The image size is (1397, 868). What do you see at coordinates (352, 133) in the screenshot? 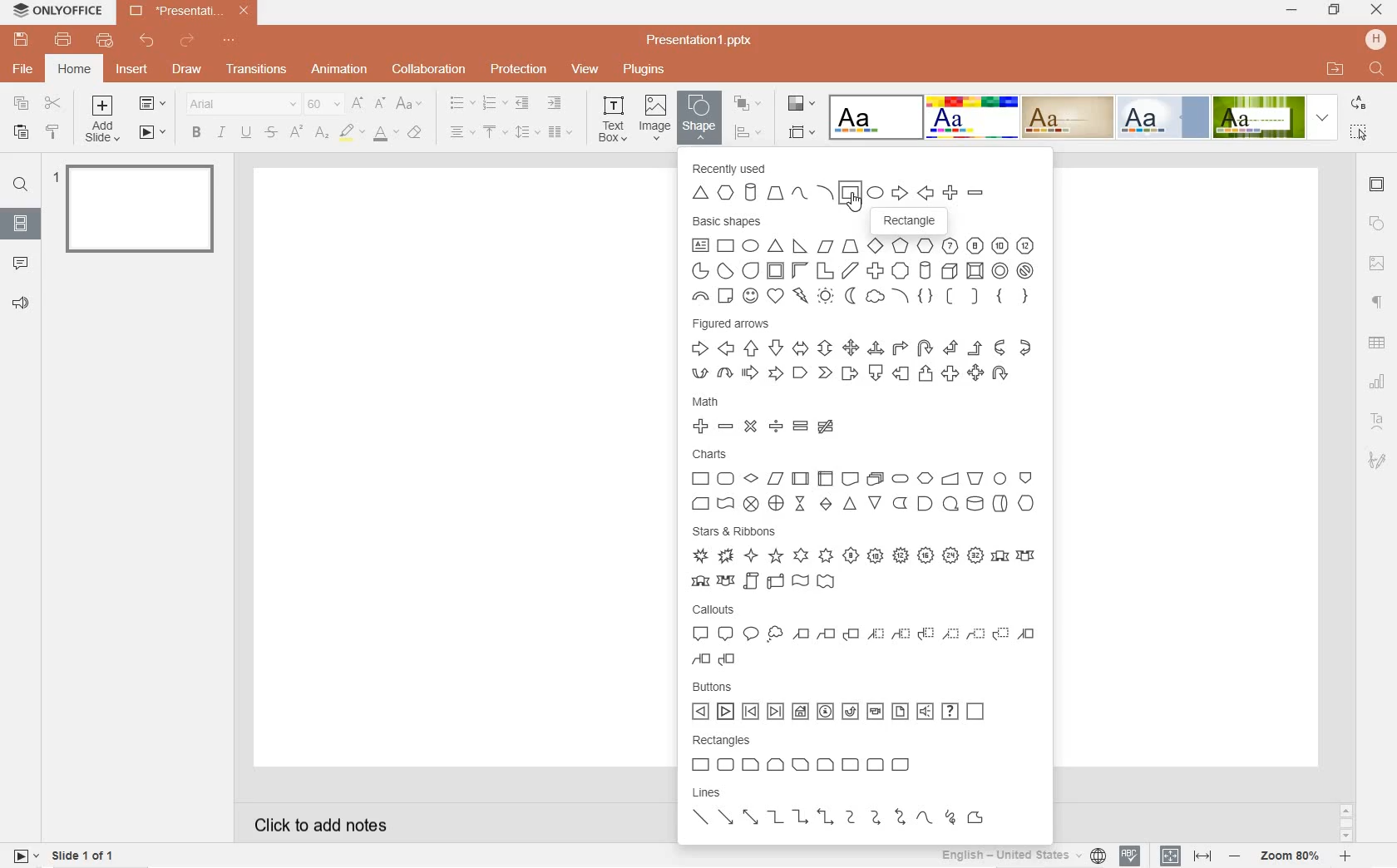
I see `highlight color` at bounding box center [352, 133].